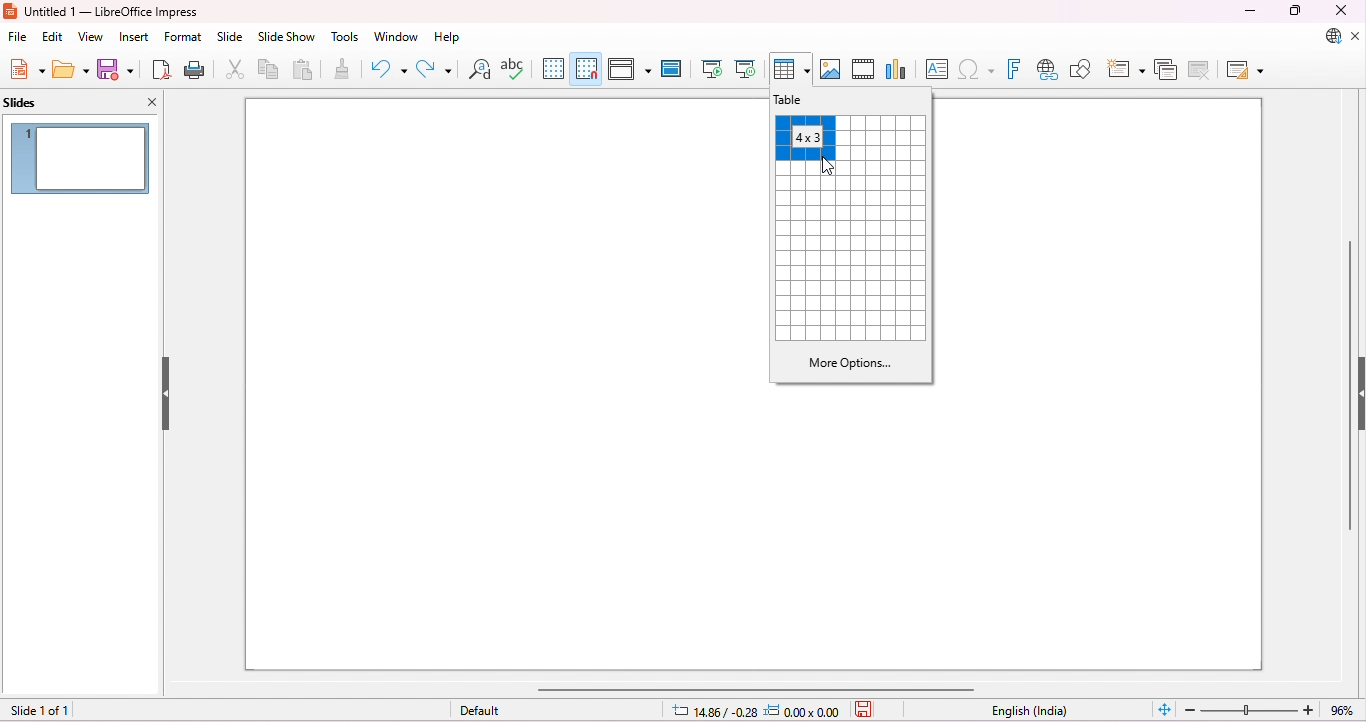 Image resolution: width=1366 pixels, height=722 pixels. What do you see at coordinates (936, 68) in the screenshot?
I see `insert text box` at bounding box center [936, 68].